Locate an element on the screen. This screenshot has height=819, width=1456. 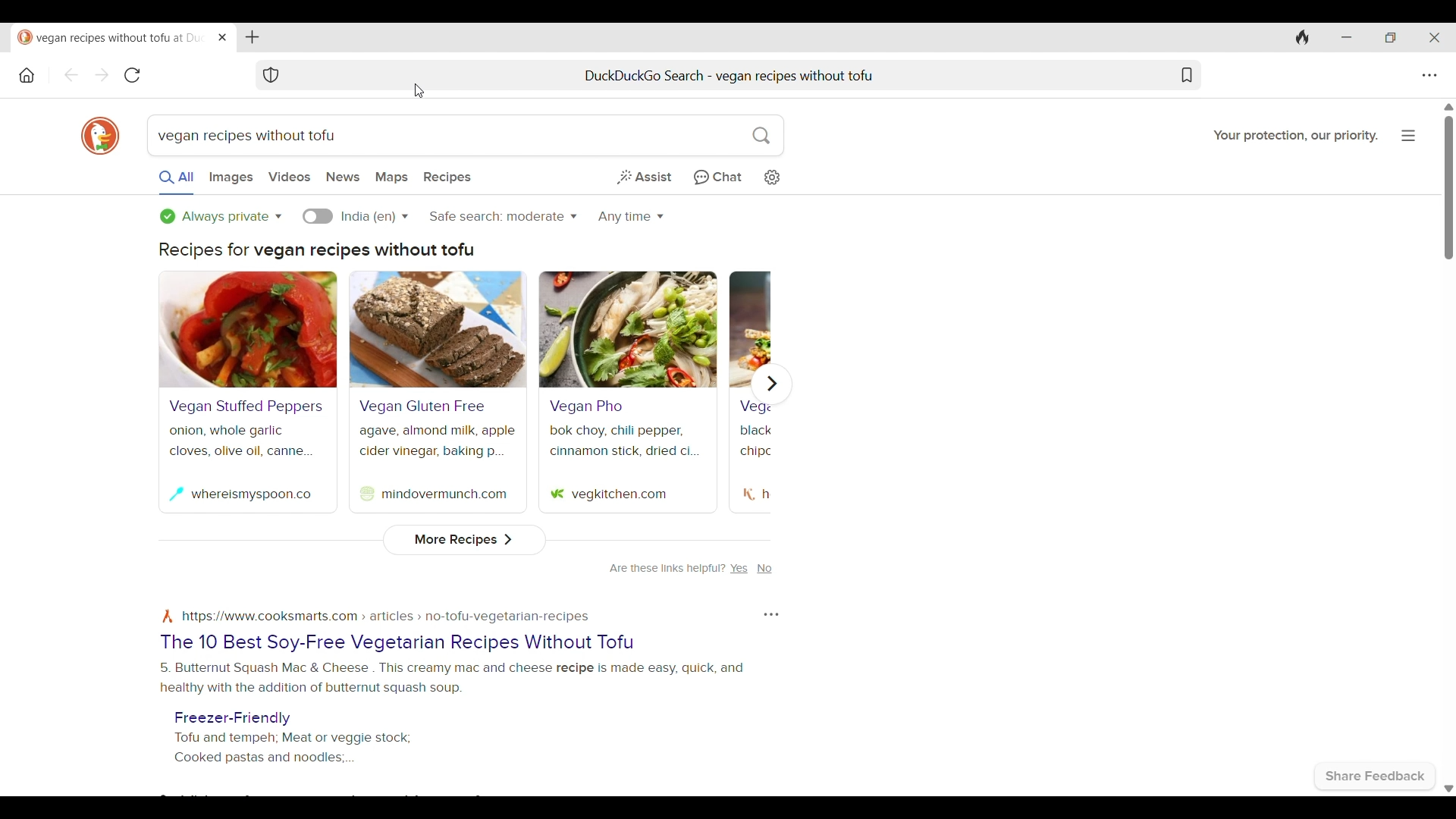
Vegan Stuffed Peppers is located at coordinates (246, 406).